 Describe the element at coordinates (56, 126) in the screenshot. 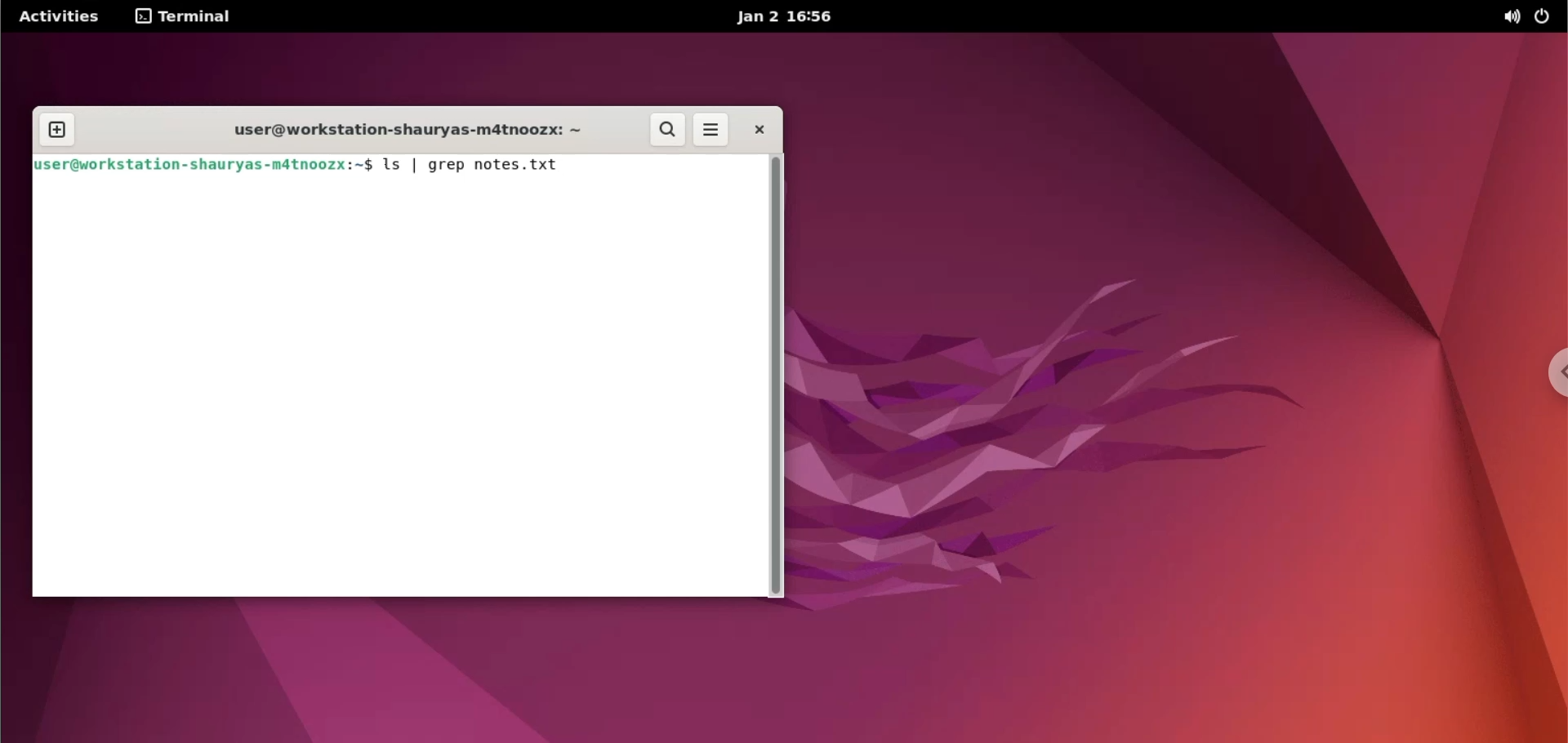

I see `new tab` at that location.